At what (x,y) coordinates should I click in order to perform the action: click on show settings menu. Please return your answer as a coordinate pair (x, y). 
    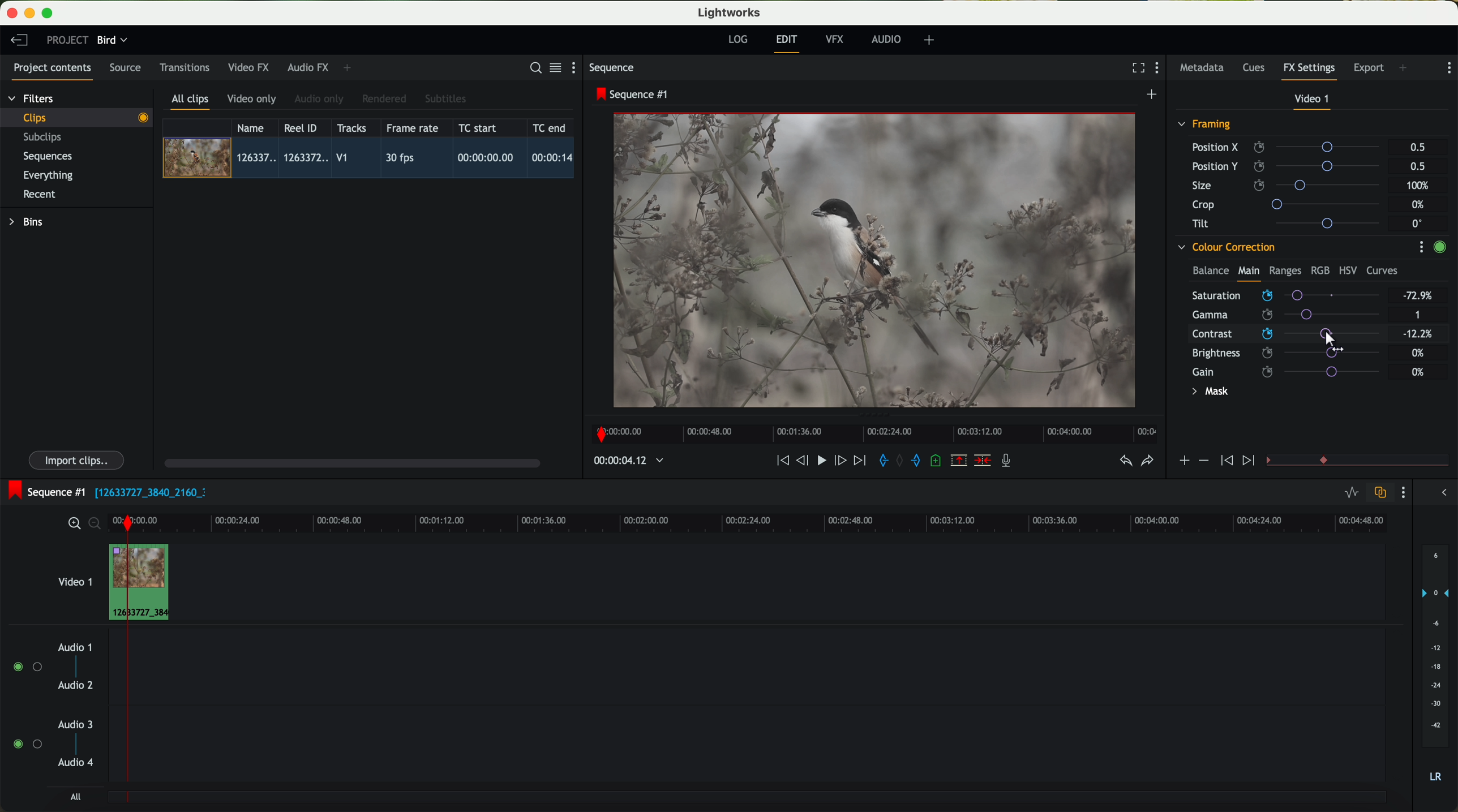
    Looking at the image, I should click on (1448, 68).